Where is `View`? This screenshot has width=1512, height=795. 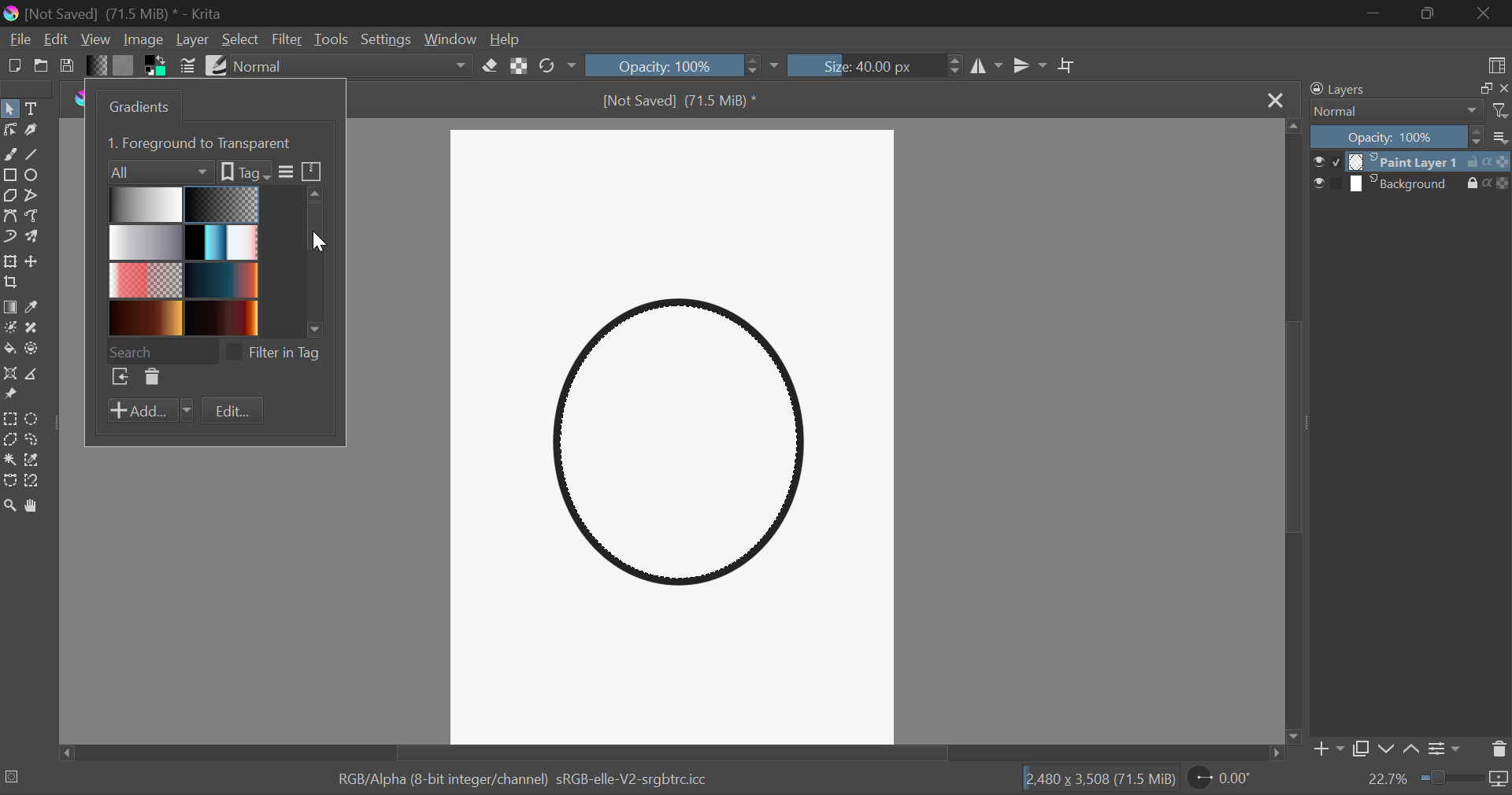
View is located at coordinates (95, 40).